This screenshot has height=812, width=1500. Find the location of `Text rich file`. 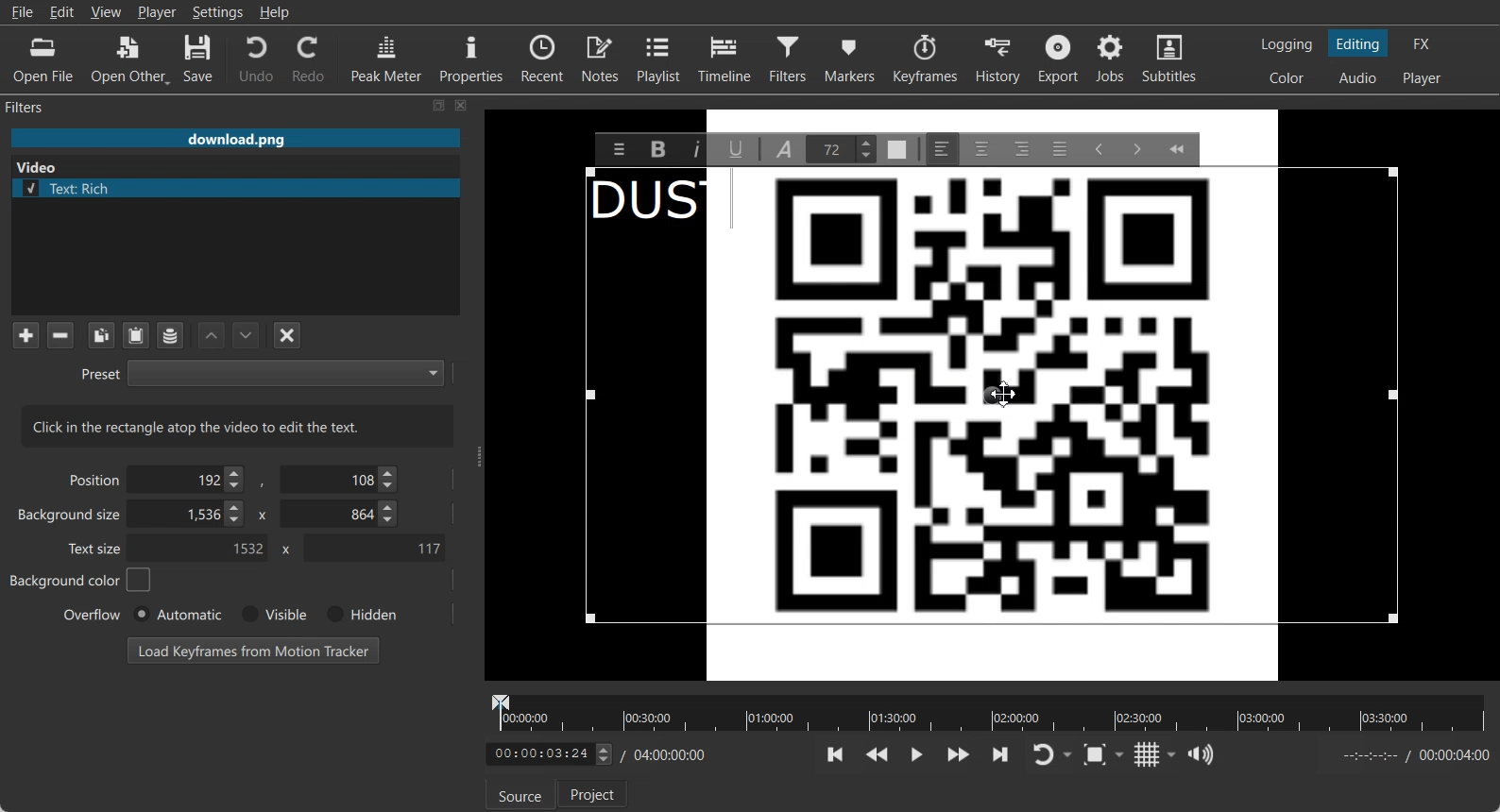

Text rich file is located at coordinates (243, 188).